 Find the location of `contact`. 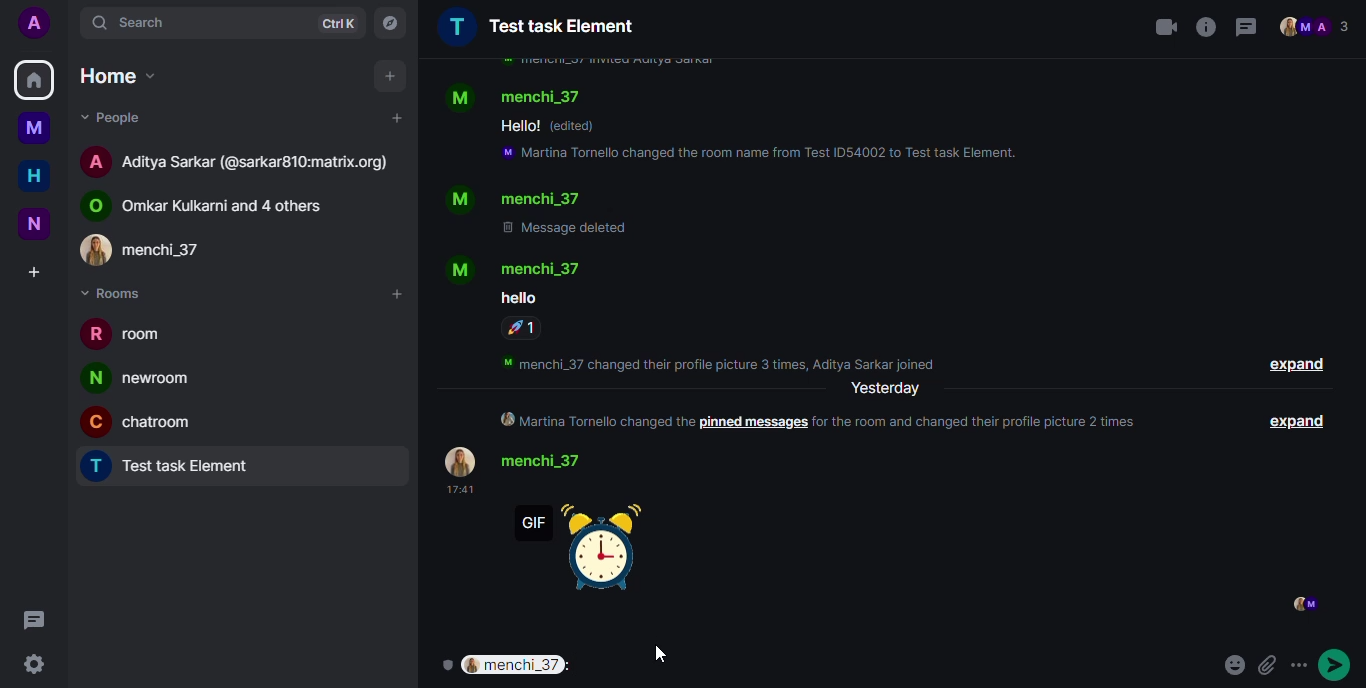

contact is located at coordinates (515, 199).